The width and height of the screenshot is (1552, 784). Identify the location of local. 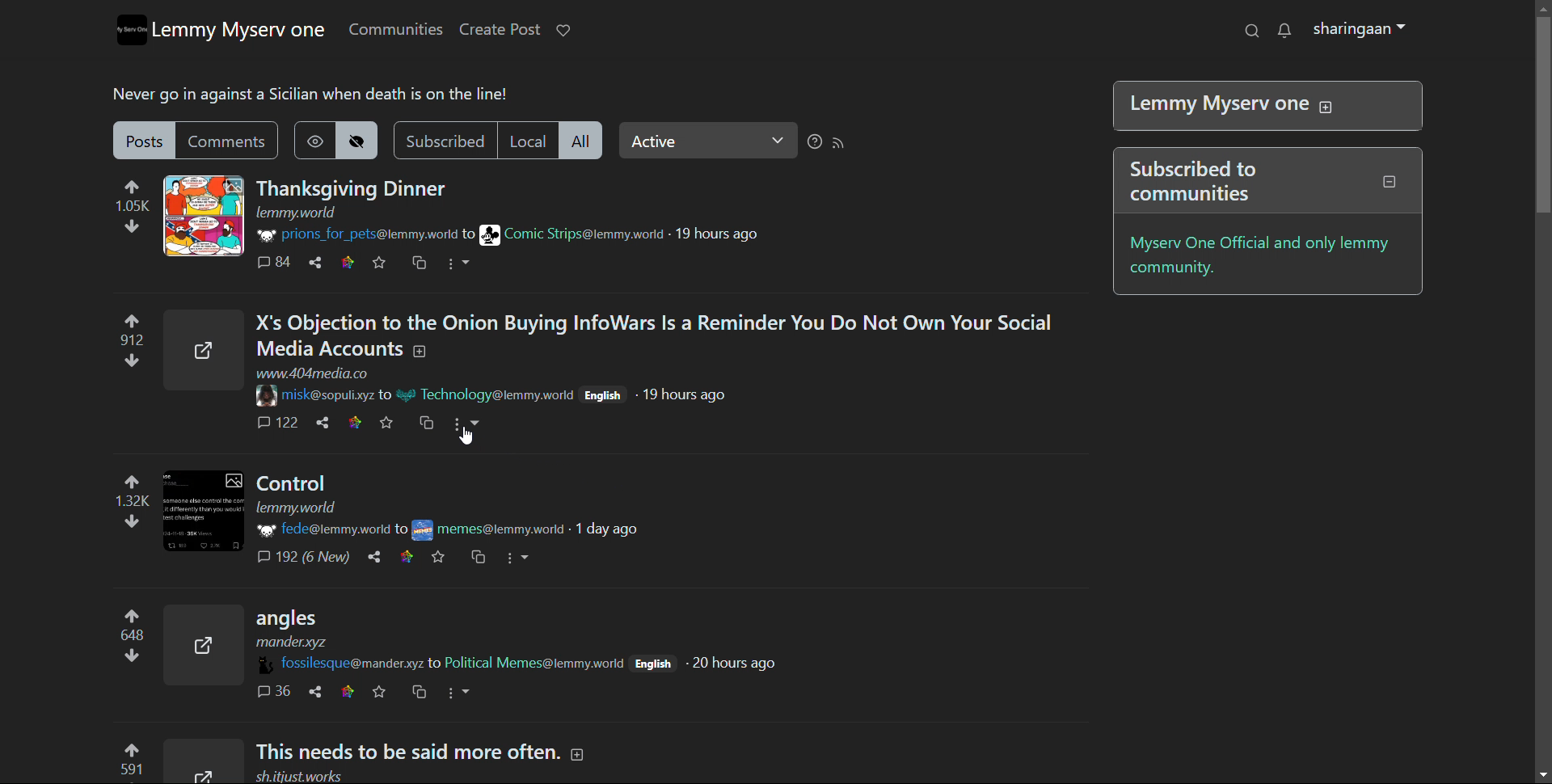
(527, 140).